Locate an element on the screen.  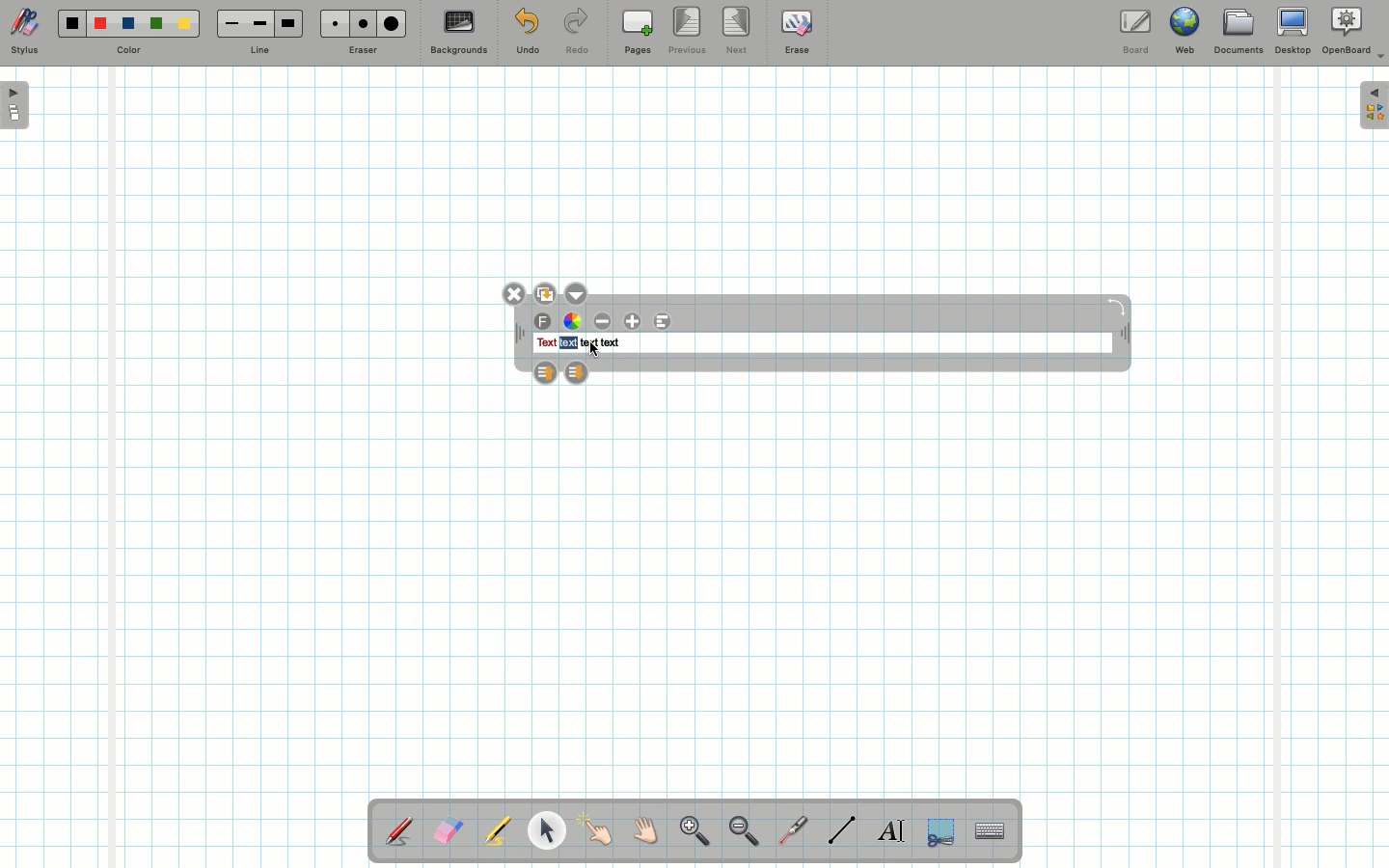
Black is located at coordinates (70, 23).